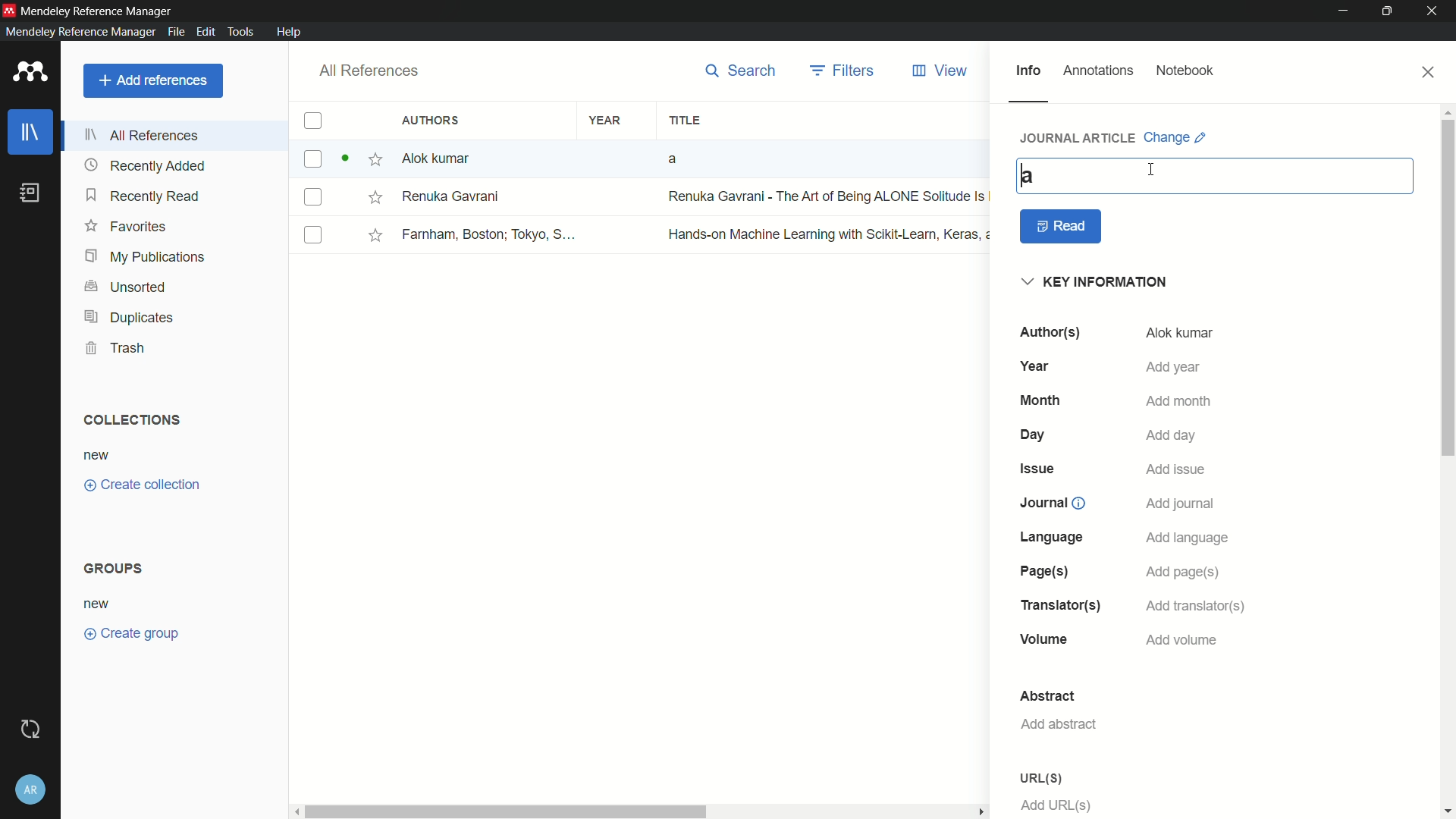  I want to click on annotations, so click(1099, 71).